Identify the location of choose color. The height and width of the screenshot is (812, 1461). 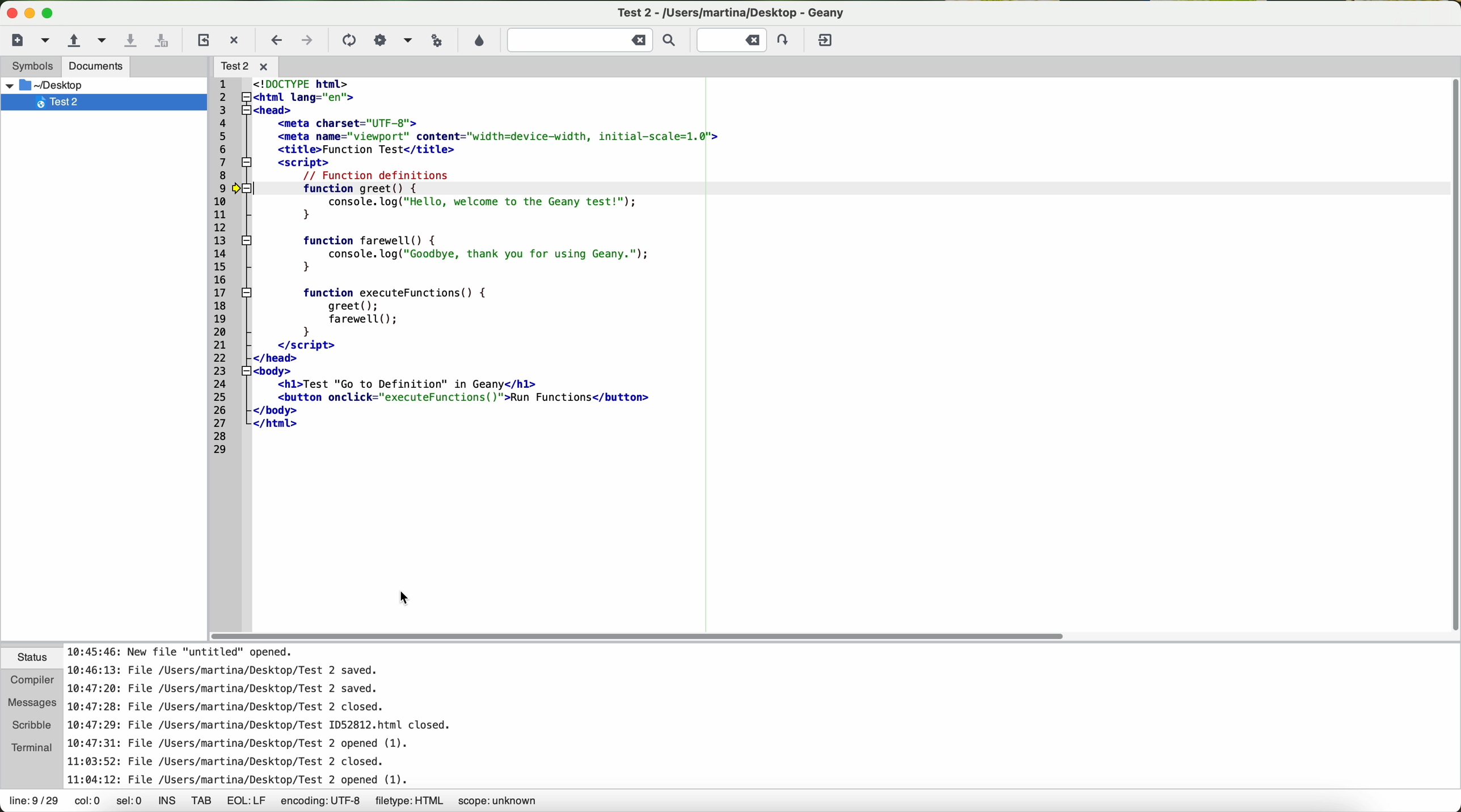
(478, 41).